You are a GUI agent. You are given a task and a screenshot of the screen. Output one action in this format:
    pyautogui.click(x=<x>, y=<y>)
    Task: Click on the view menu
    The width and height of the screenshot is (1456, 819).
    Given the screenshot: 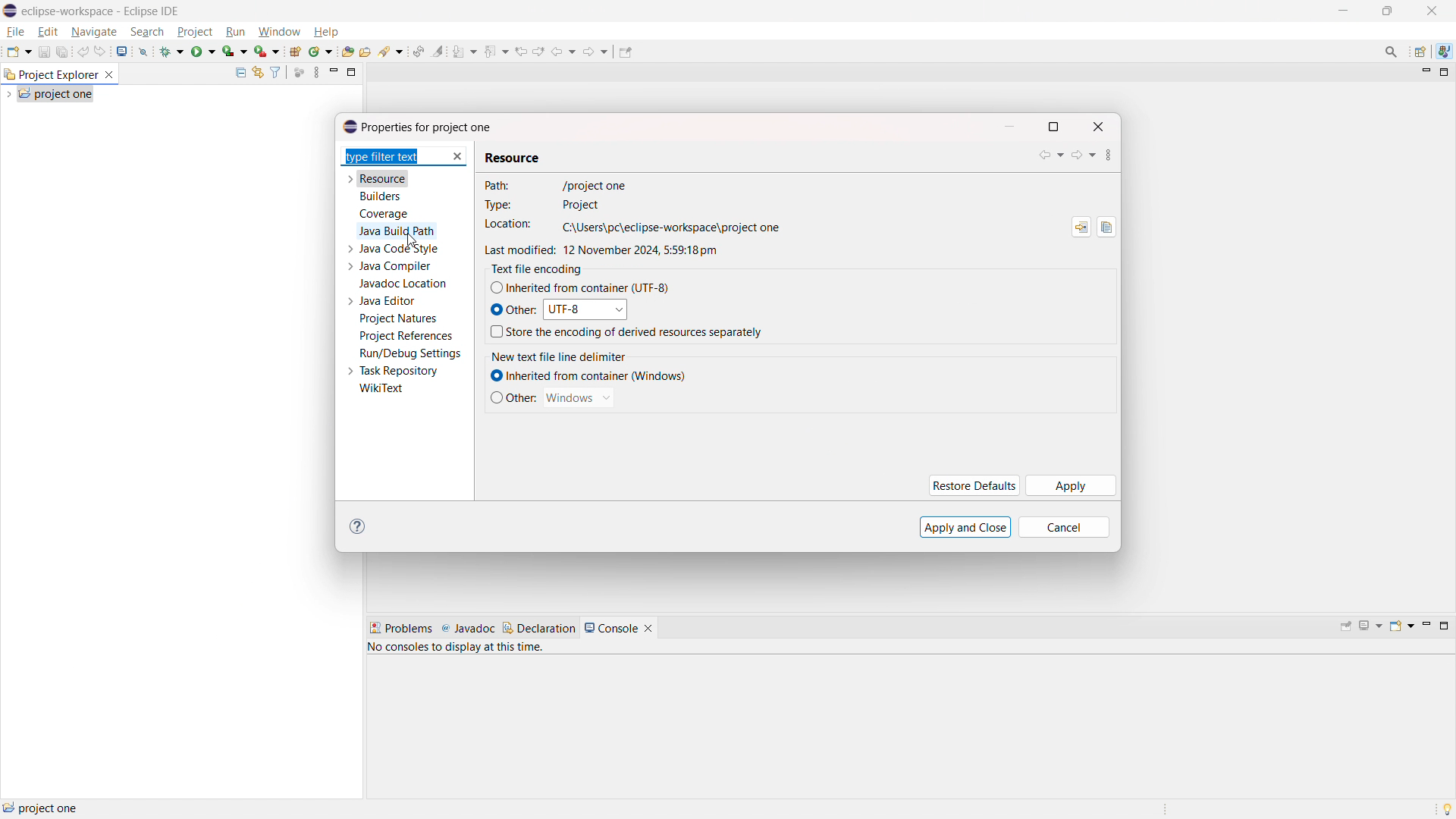 What is the action you would take?
    pyautogui.click(x=316, y=72)
    